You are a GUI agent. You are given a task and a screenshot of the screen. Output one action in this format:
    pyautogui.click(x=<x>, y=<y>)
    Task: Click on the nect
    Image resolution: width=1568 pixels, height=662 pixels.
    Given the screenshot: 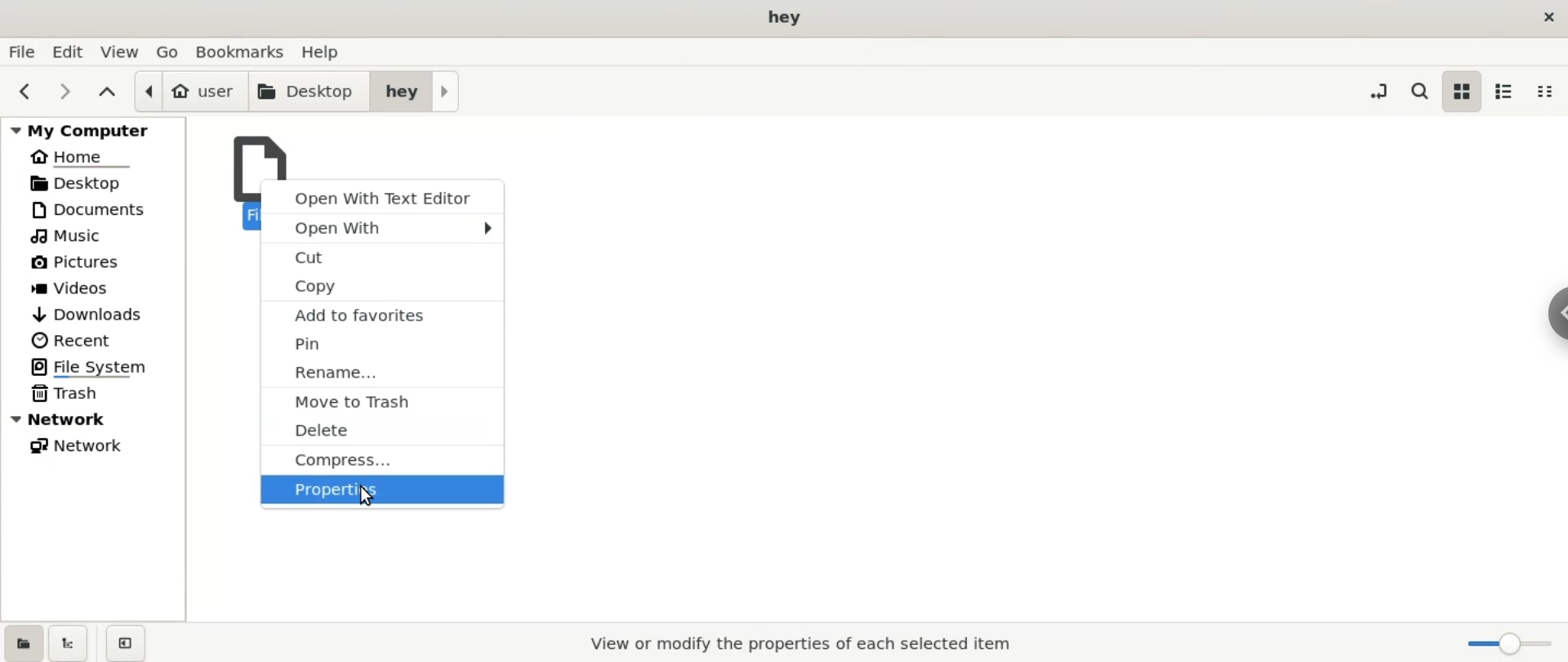 What is the action you would take?
    pyautogui.click(x=66, y=91)
    